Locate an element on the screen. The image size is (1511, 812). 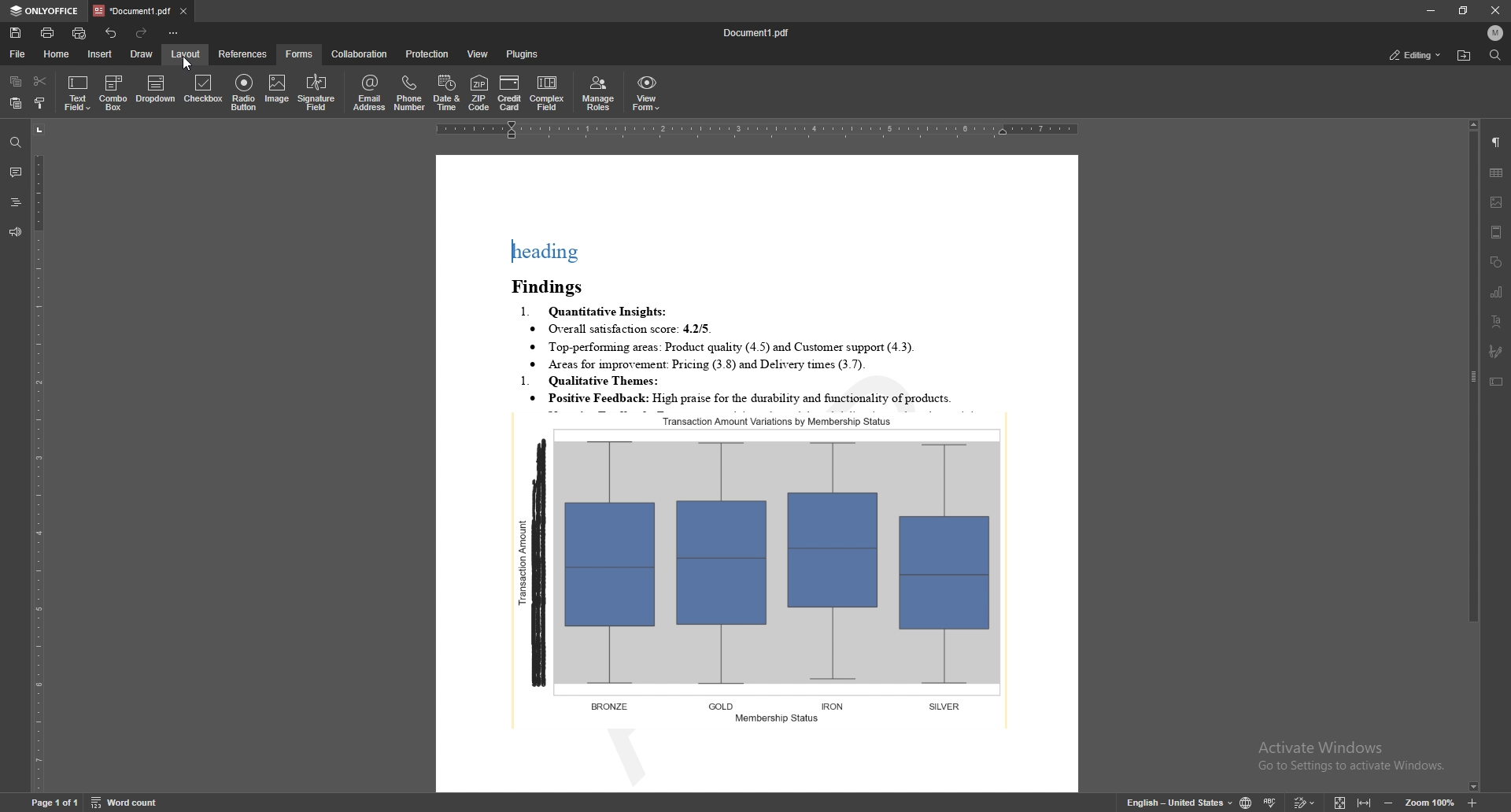
locate file is located at coordinates (1465, 56).